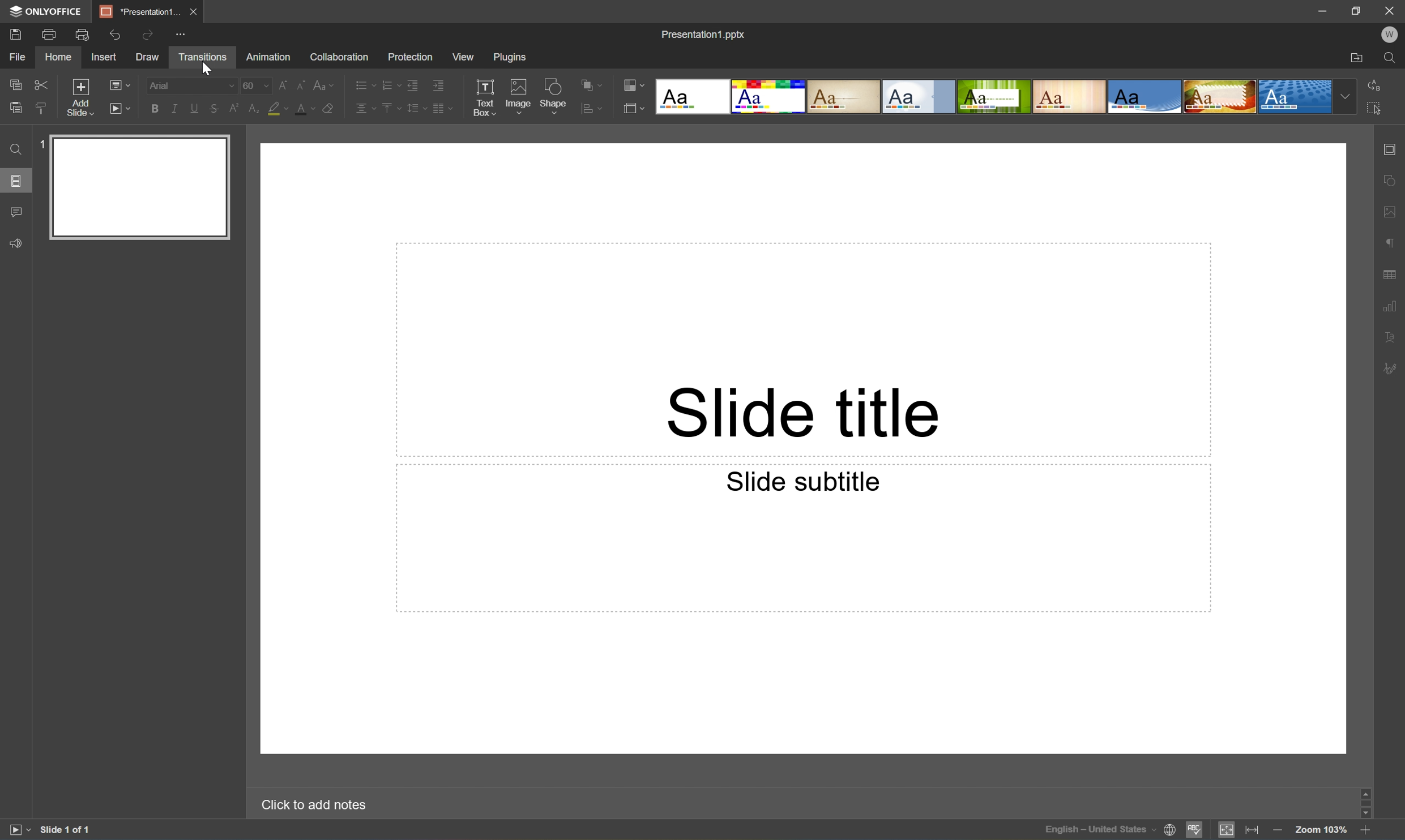 This screenshot has width=1405, height=840. I want to click on Increment font size, so click(279, 85).